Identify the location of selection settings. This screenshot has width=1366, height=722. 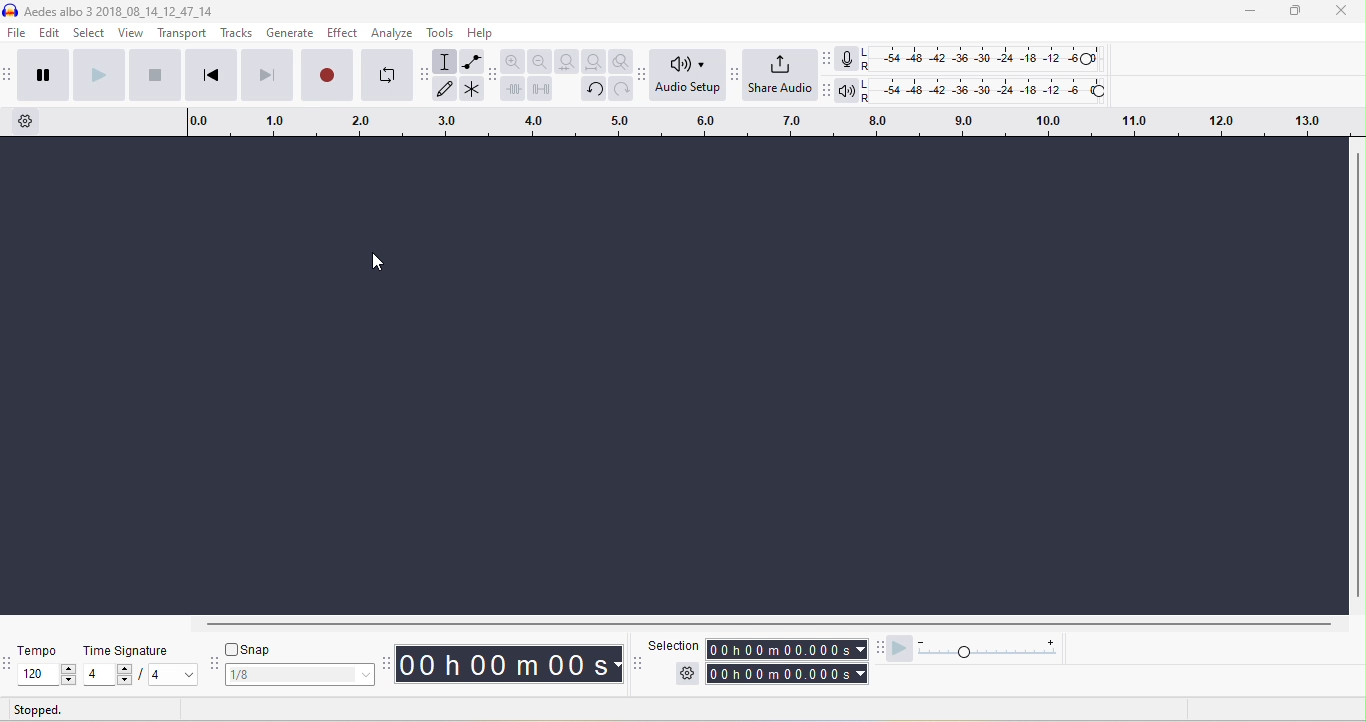
(686, 673).